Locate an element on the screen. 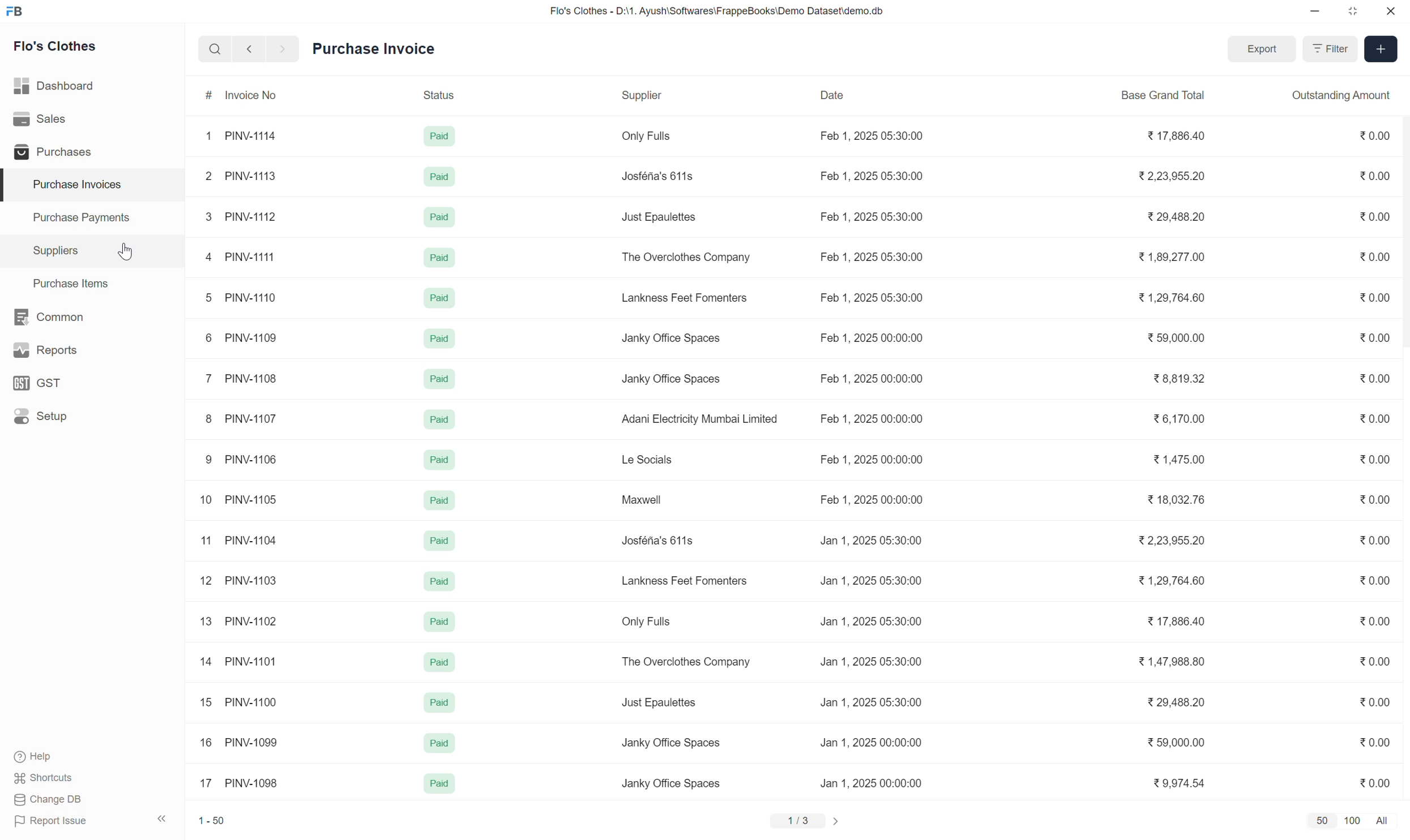  0.00 is located at coordinates (1375, 702).